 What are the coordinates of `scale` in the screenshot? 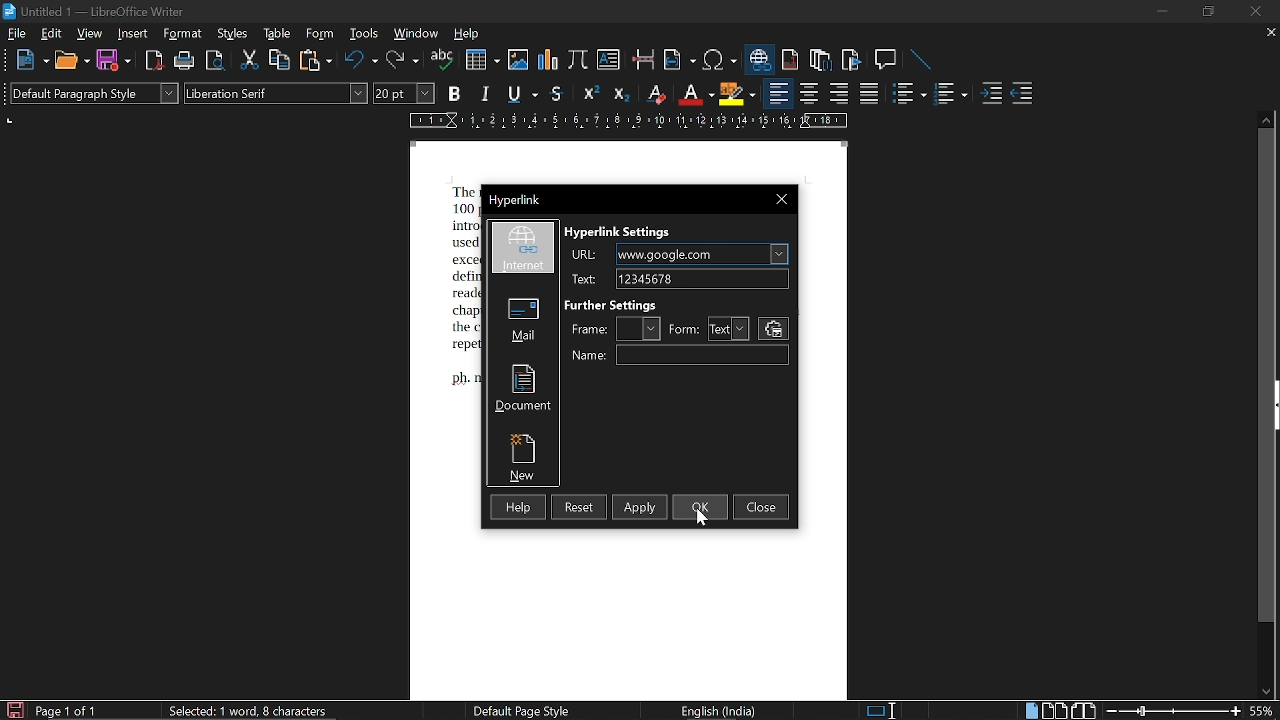 It's located at (624, 123).